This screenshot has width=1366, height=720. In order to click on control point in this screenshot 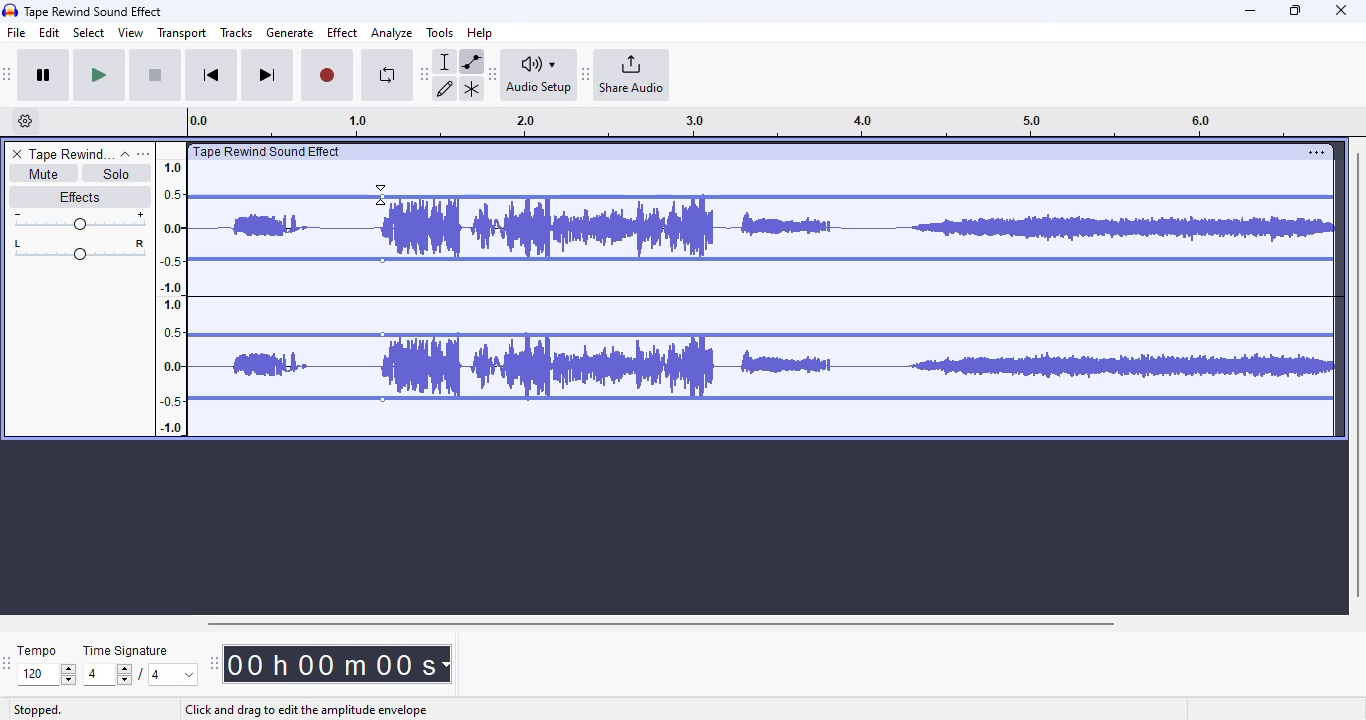, I will do `click(382, 399)`.